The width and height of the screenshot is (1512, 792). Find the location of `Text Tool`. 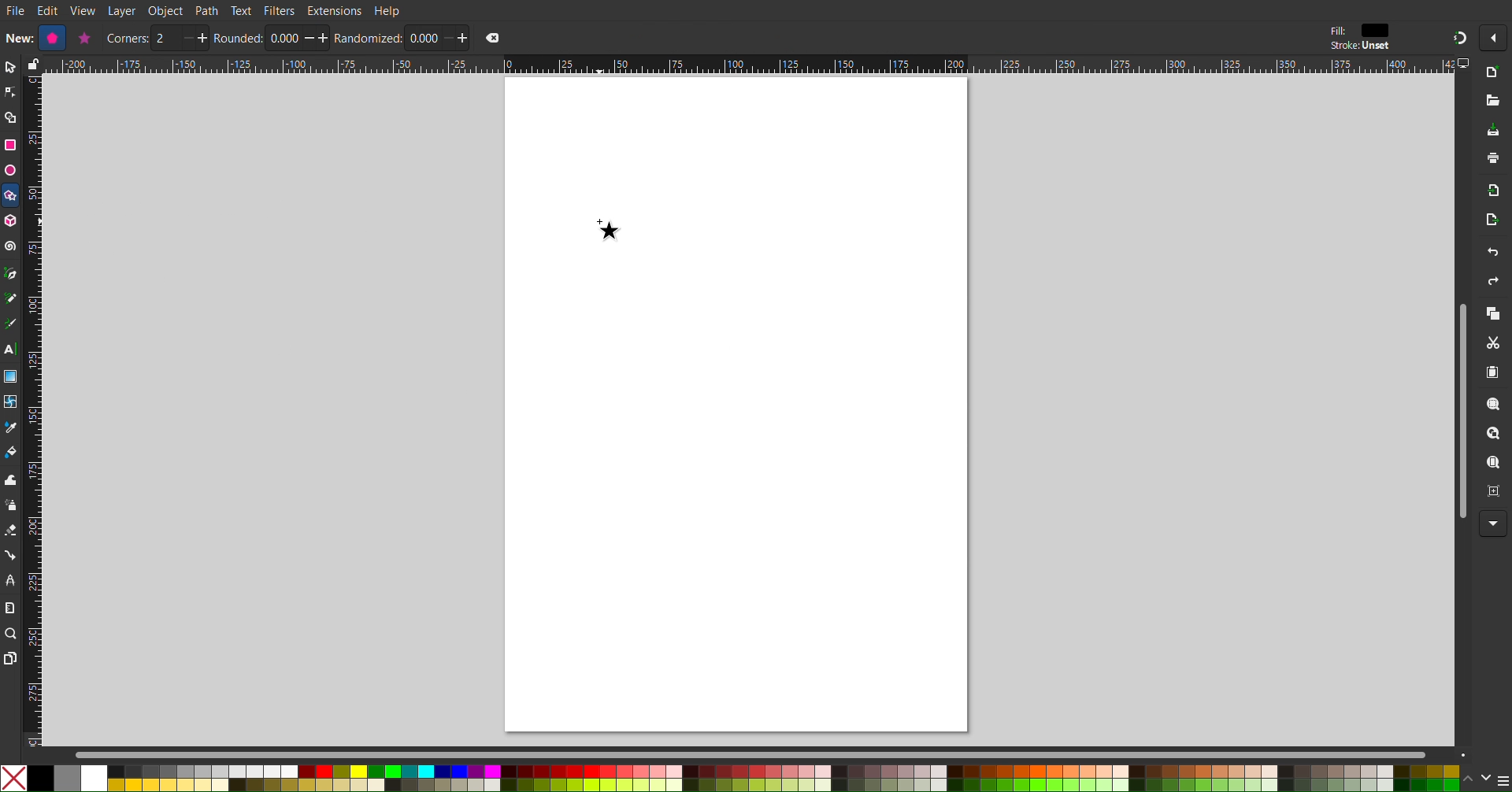

Text Tool is located at coordinates (10, 350).